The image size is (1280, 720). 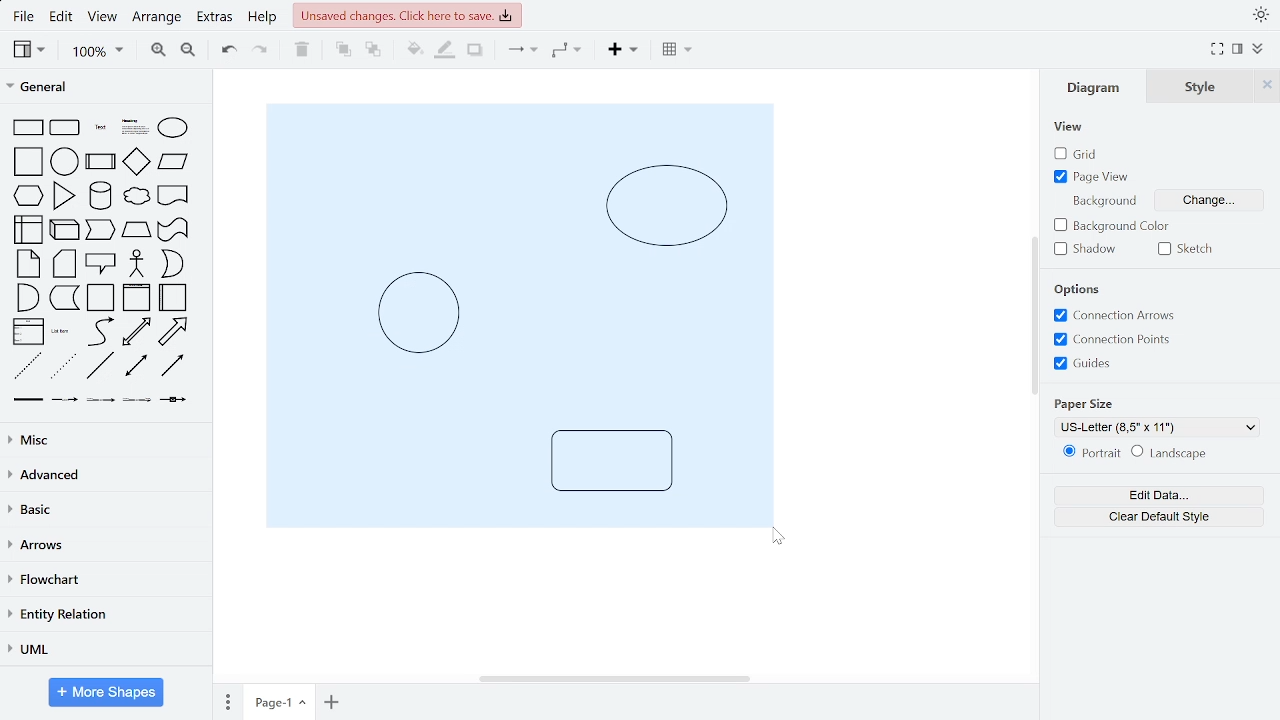 What do you see at coordinates (782, 538) in the screenshot?
I see `DRAG_TO Cursor` at bounding box center [782, 538].